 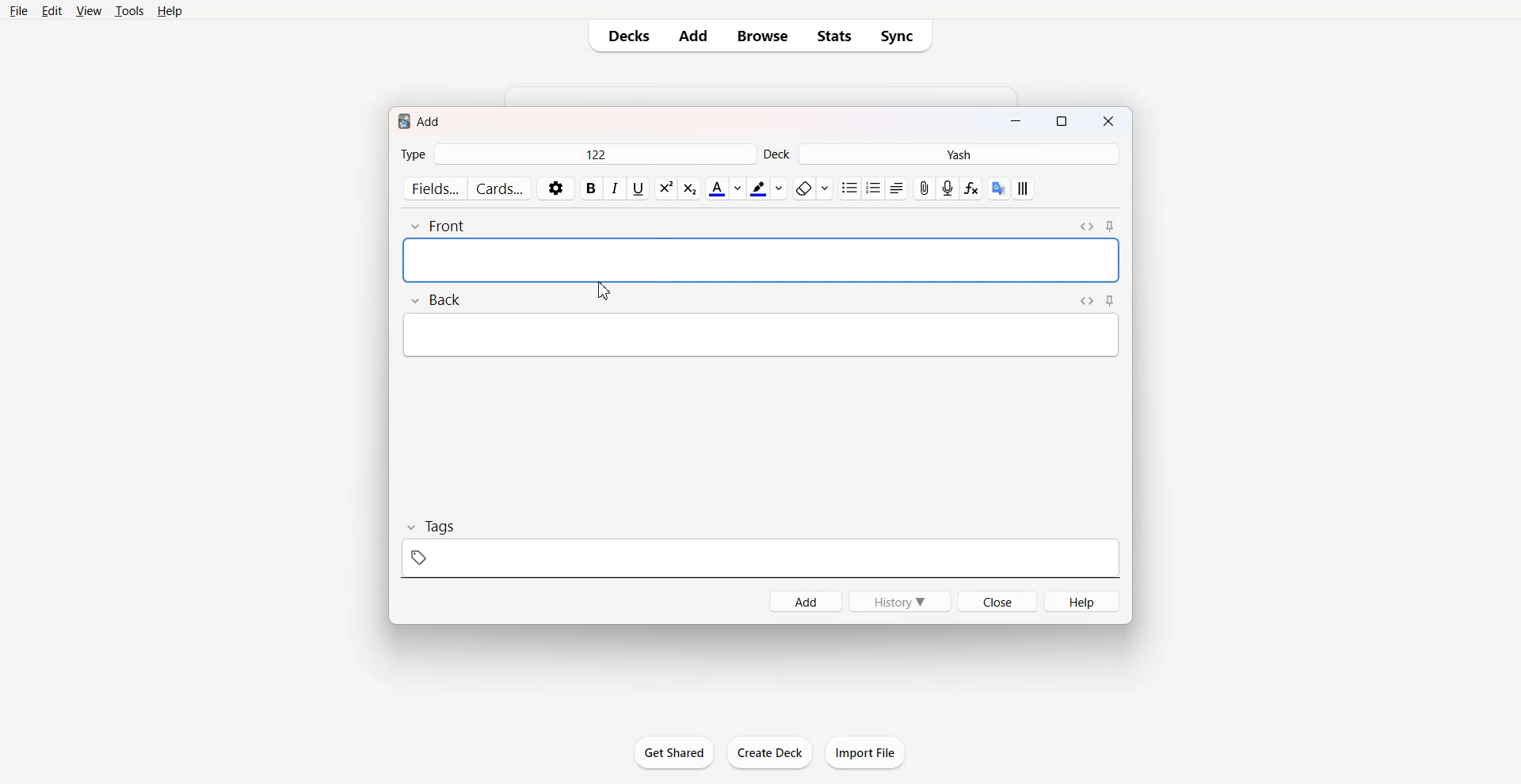 I want to click on Back, so click(x=434, y=299).